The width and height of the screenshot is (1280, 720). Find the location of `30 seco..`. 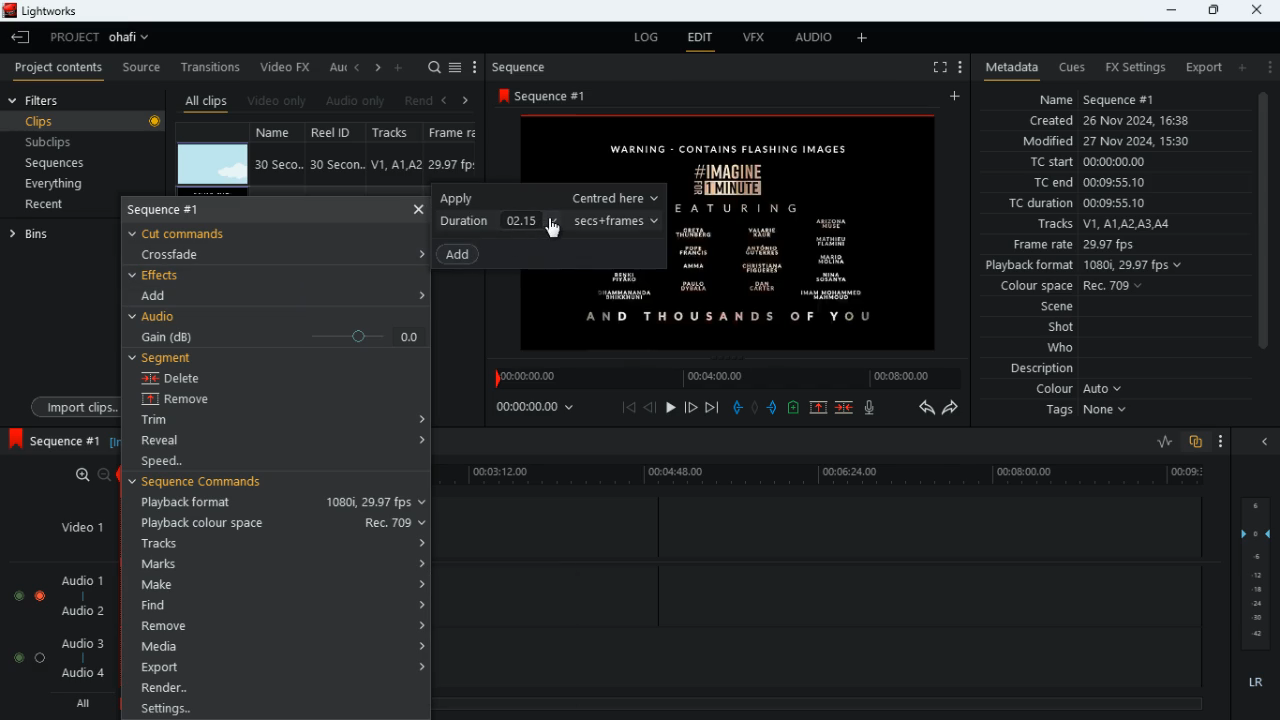

30 seco.. is located at coordinates (279, 163).